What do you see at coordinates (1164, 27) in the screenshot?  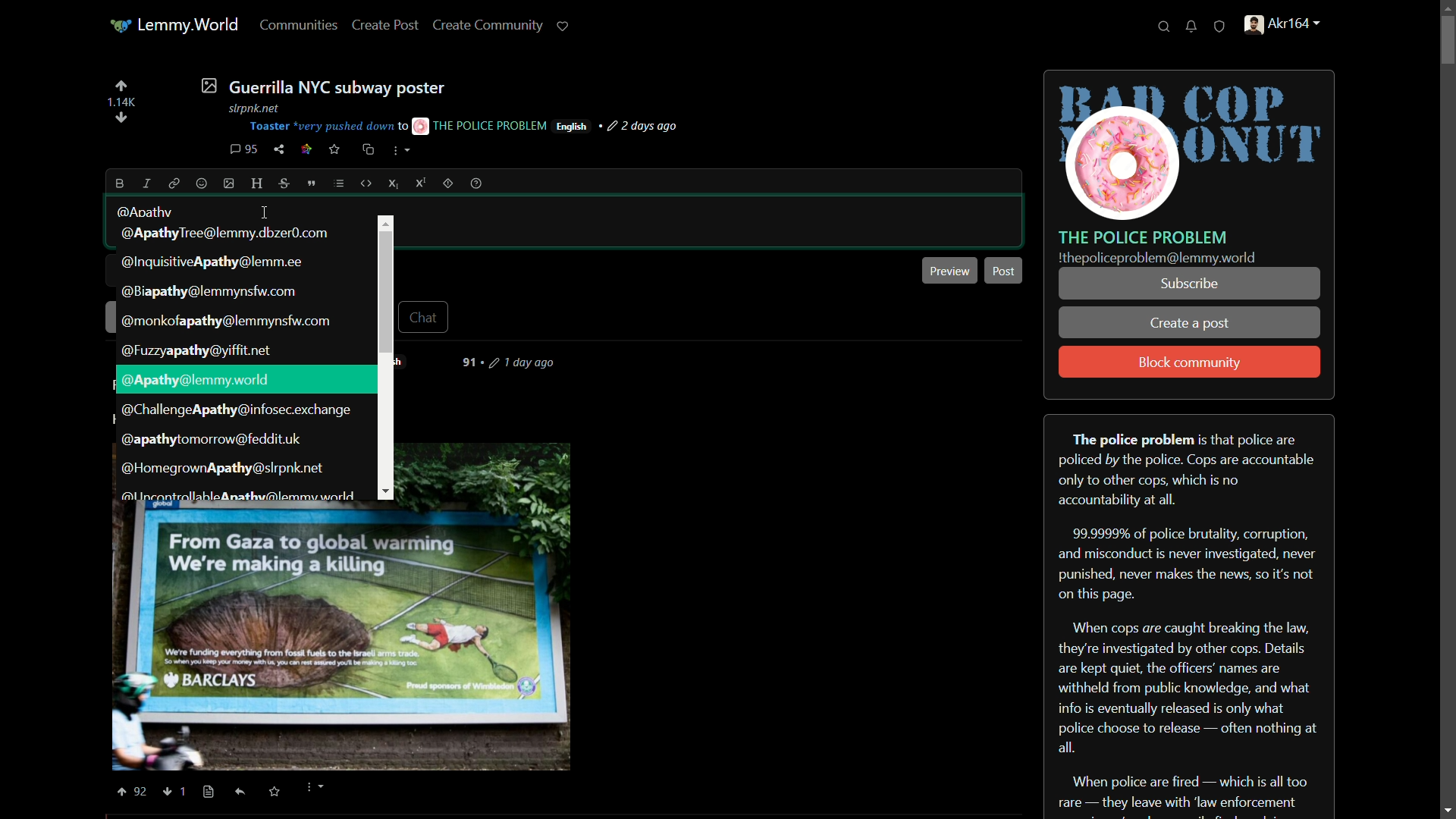 I see `search` at bounding box center [1164, 27].